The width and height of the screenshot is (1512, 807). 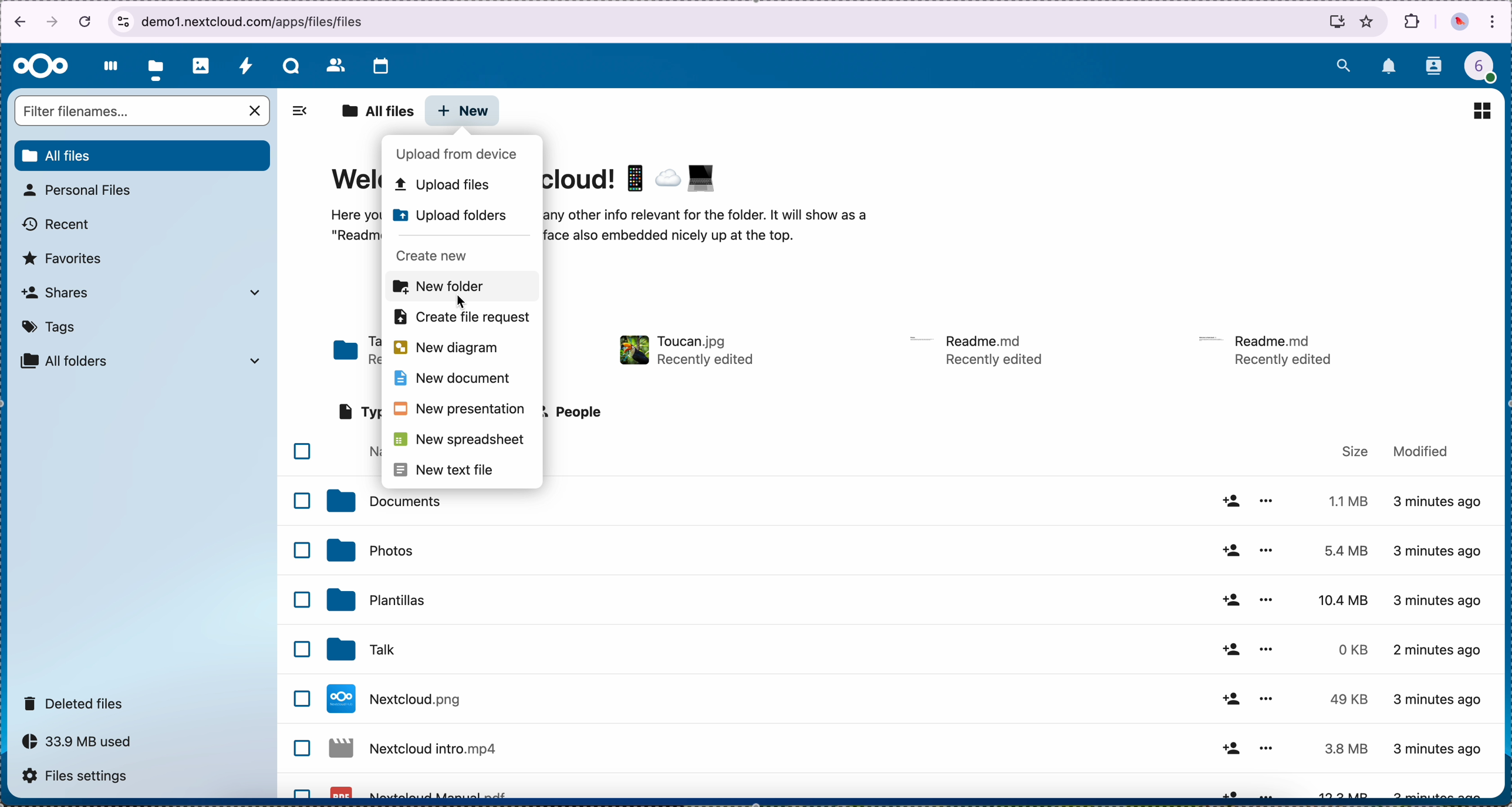 I want to click on favorites, so click(x=1368, y=21).